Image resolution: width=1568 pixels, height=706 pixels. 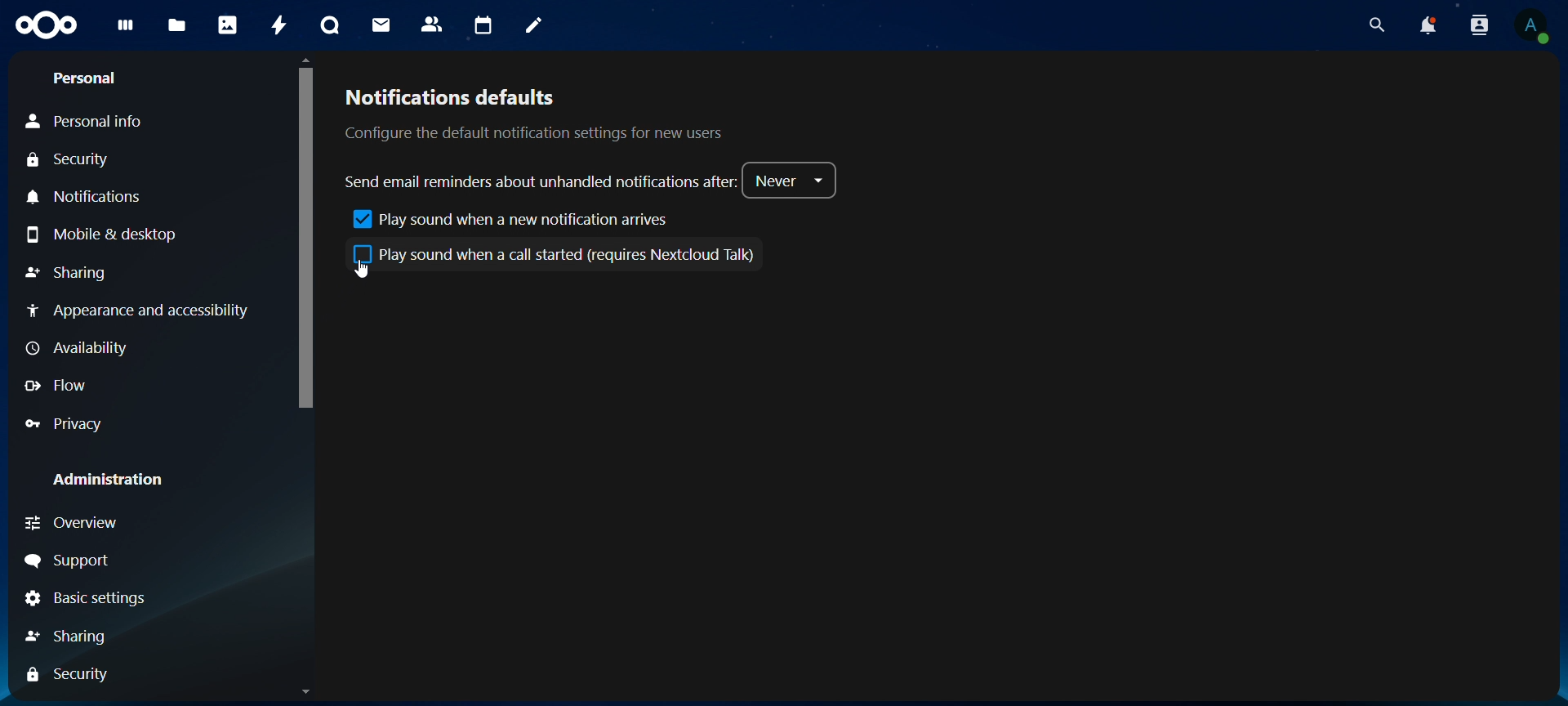 I want to click on photos, so click(x=227, y=25).